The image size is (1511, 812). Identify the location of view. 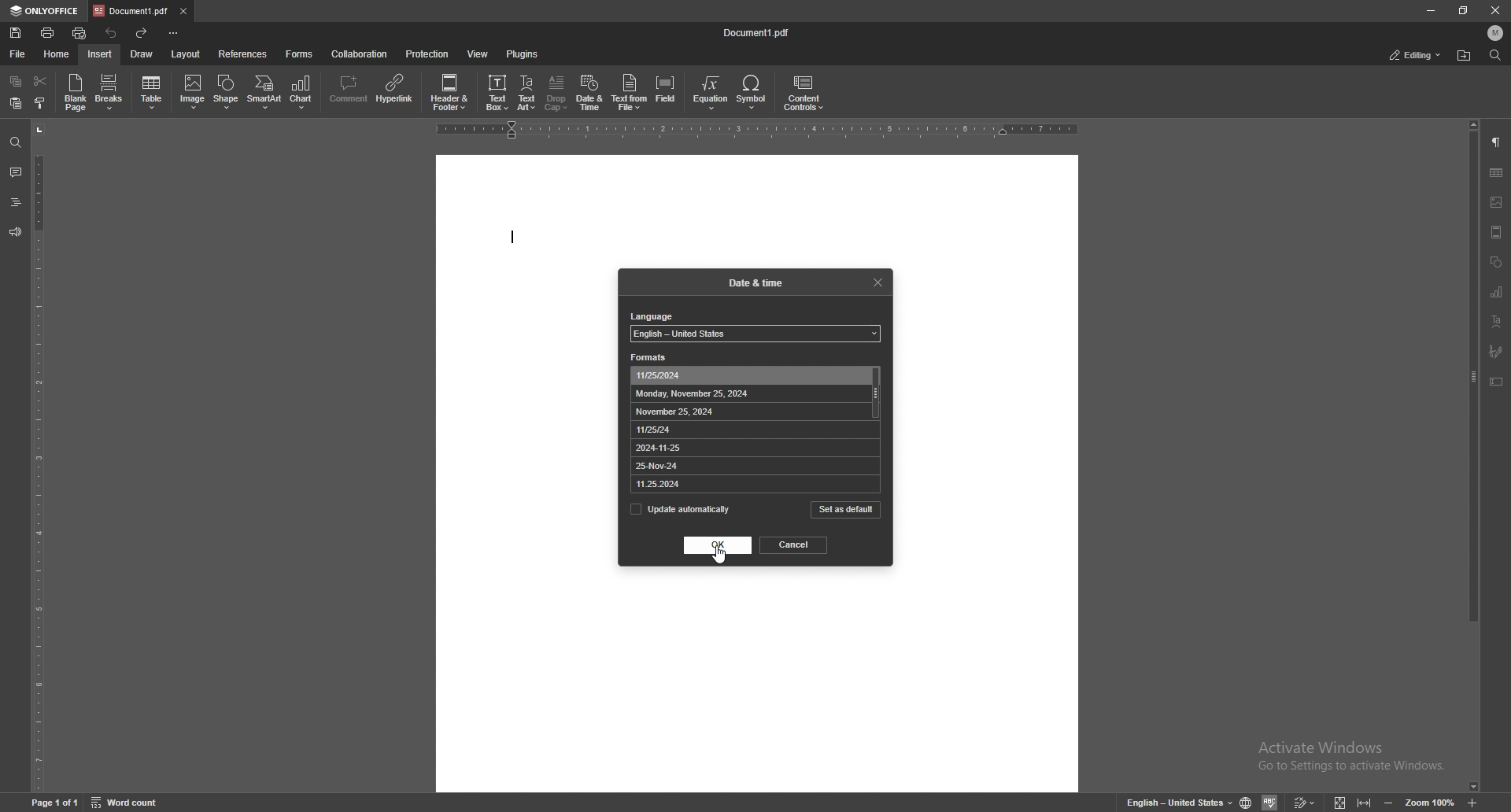
(1496, 232).